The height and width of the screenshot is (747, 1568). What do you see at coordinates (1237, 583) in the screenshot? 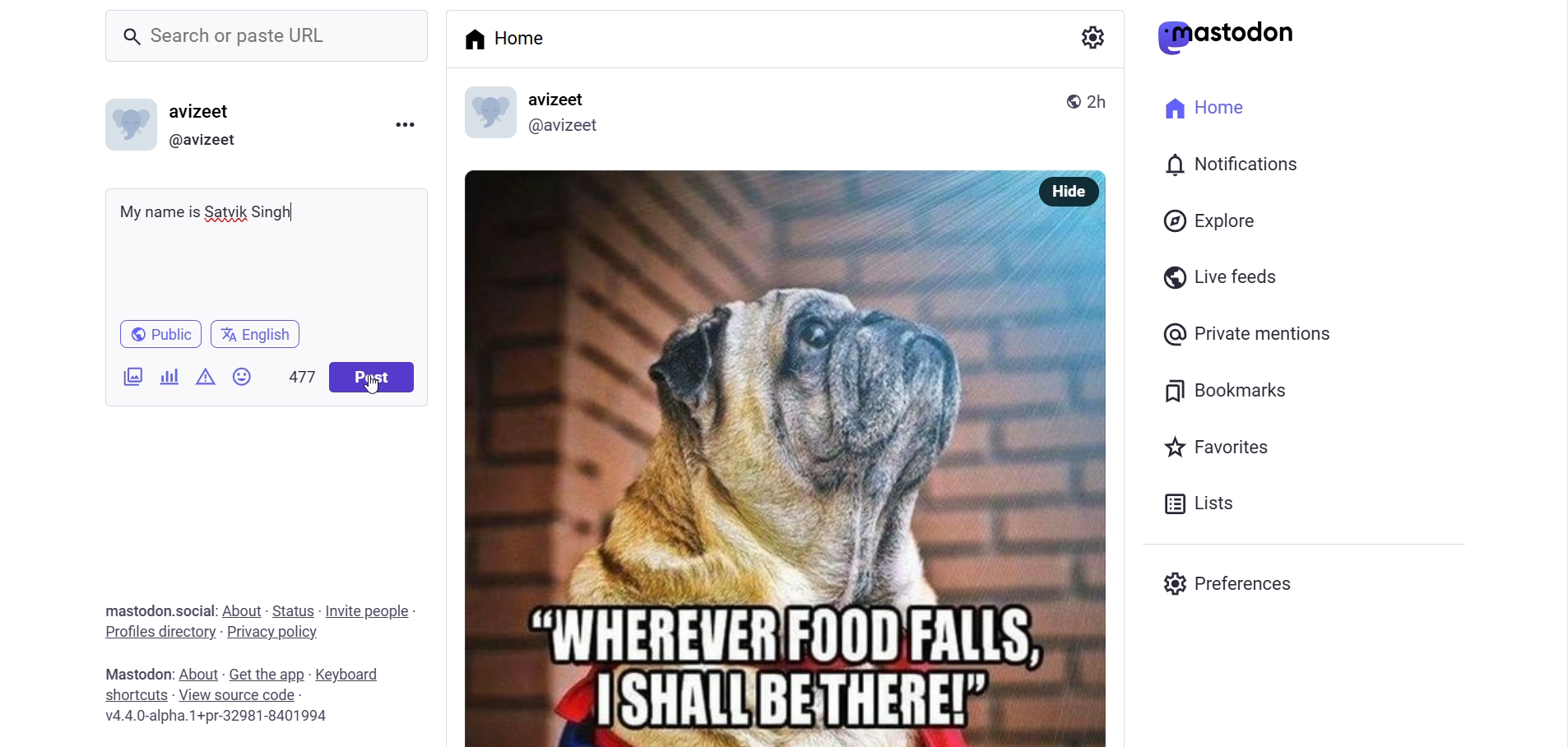
I see `Preferences` at bounding box center [1237, 583].